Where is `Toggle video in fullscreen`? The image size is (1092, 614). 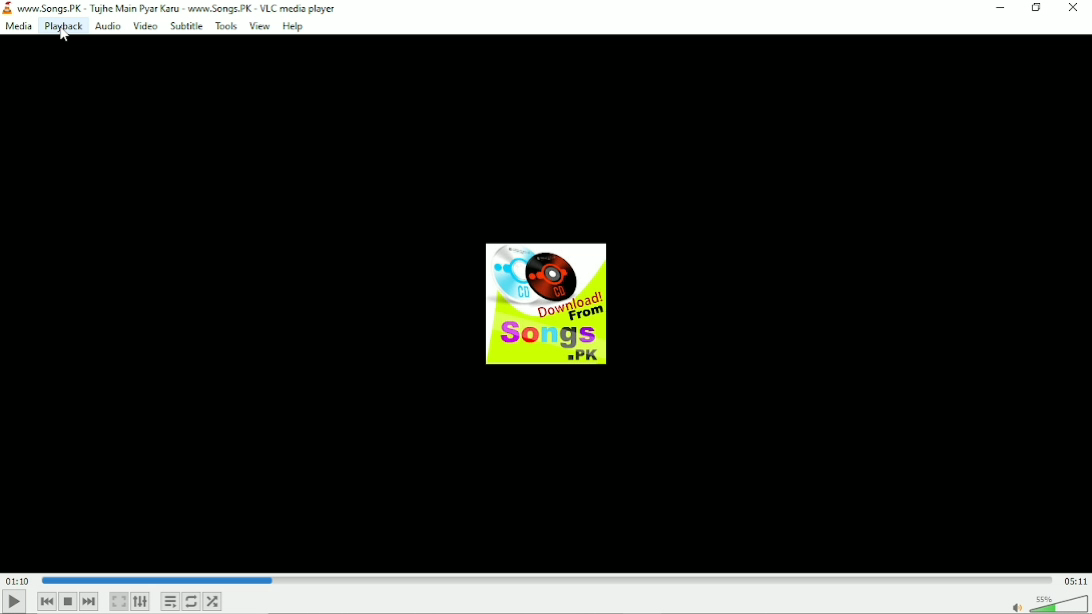
Toggle video in fullscreen is located at coordinates (118, 601).